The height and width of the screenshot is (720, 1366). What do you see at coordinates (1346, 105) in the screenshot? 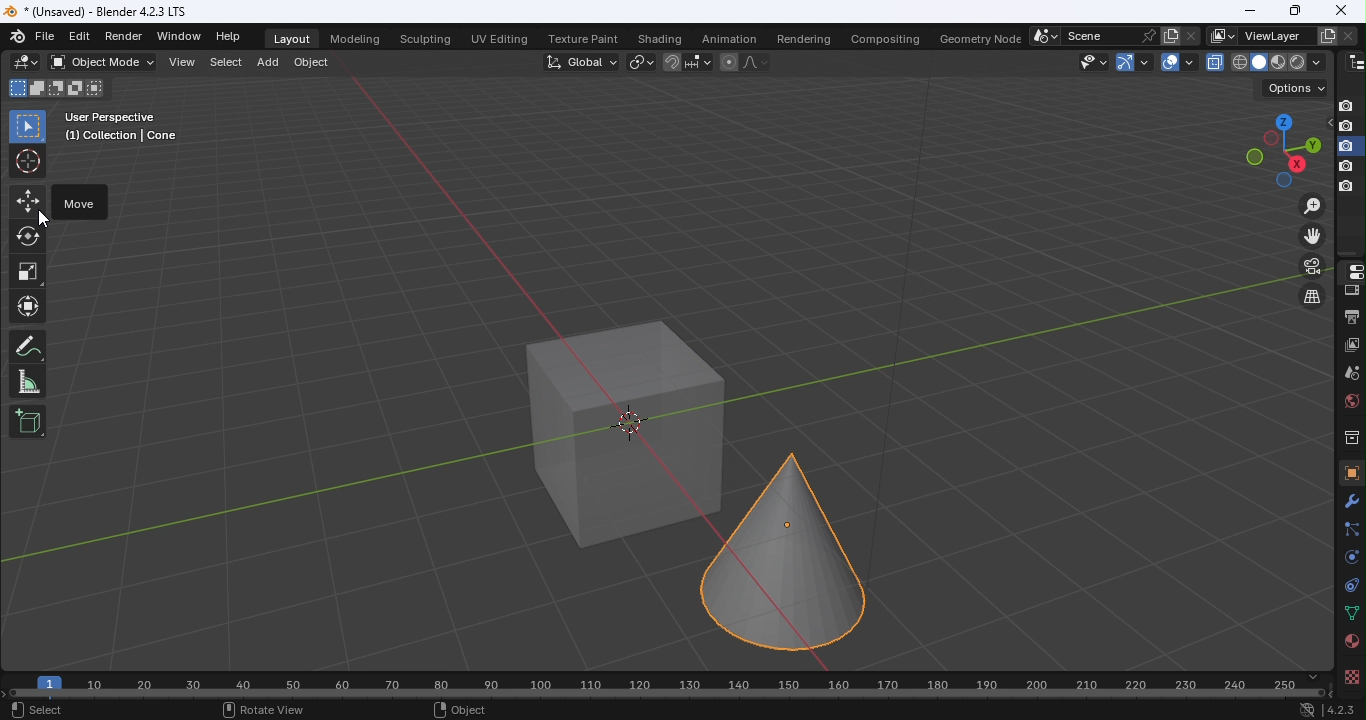
I see `Disable in renders ` at bounding box center [1346, 105].